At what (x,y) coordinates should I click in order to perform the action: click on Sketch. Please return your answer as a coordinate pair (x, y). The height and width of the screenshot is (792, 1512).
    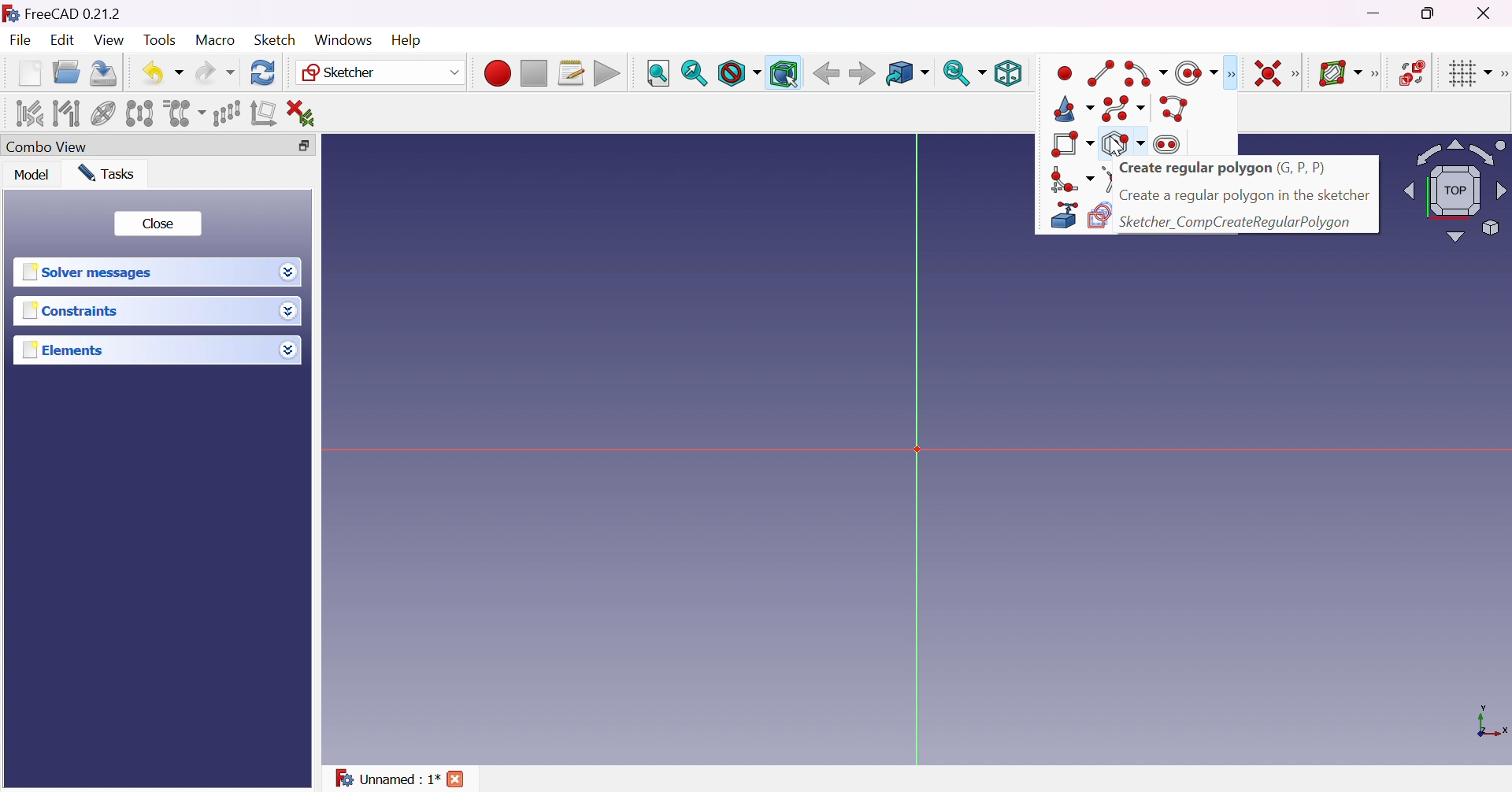
    Looking at the image, I should click on (280, 39).